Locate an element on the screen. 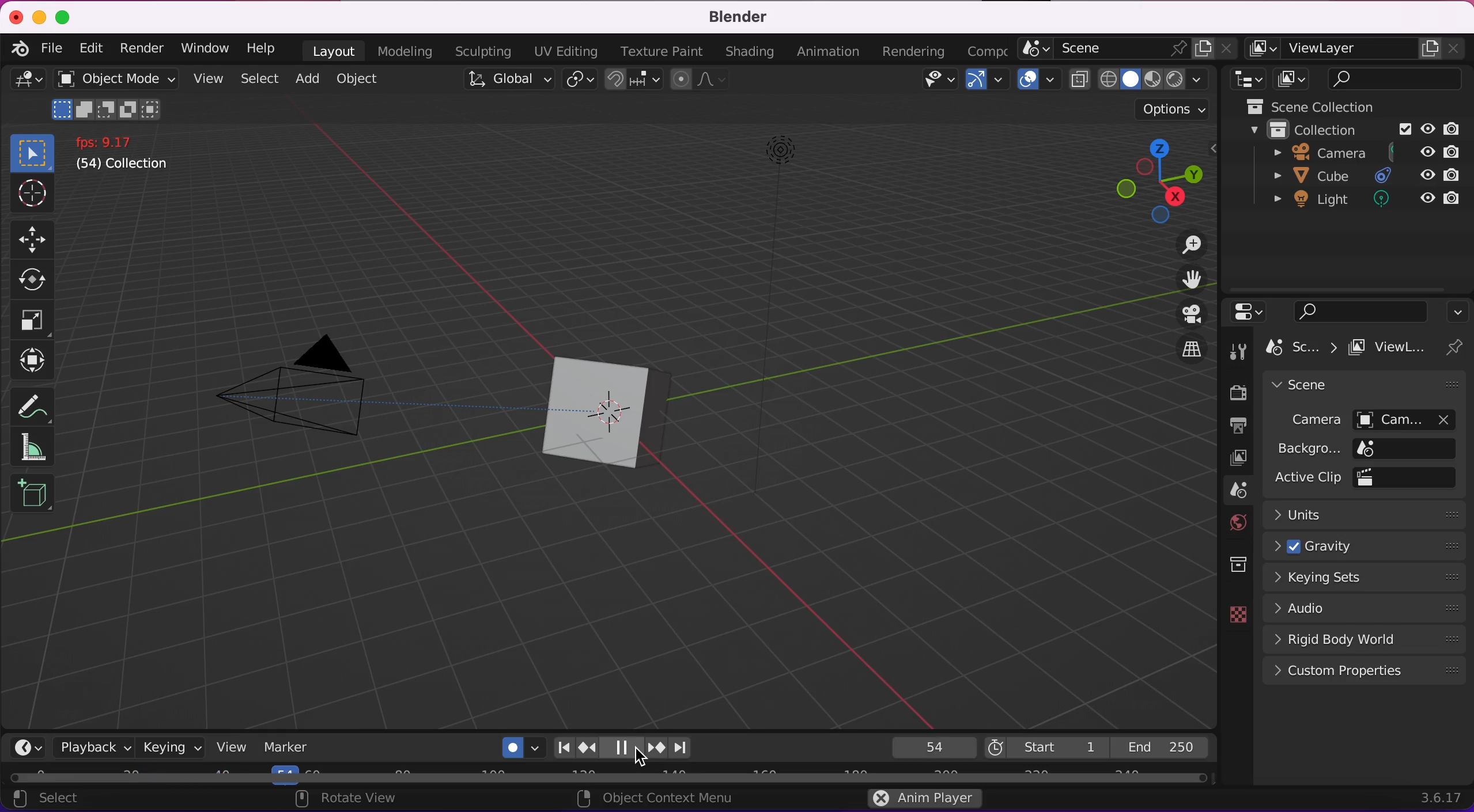  layout is located at coordinates (332, 51).